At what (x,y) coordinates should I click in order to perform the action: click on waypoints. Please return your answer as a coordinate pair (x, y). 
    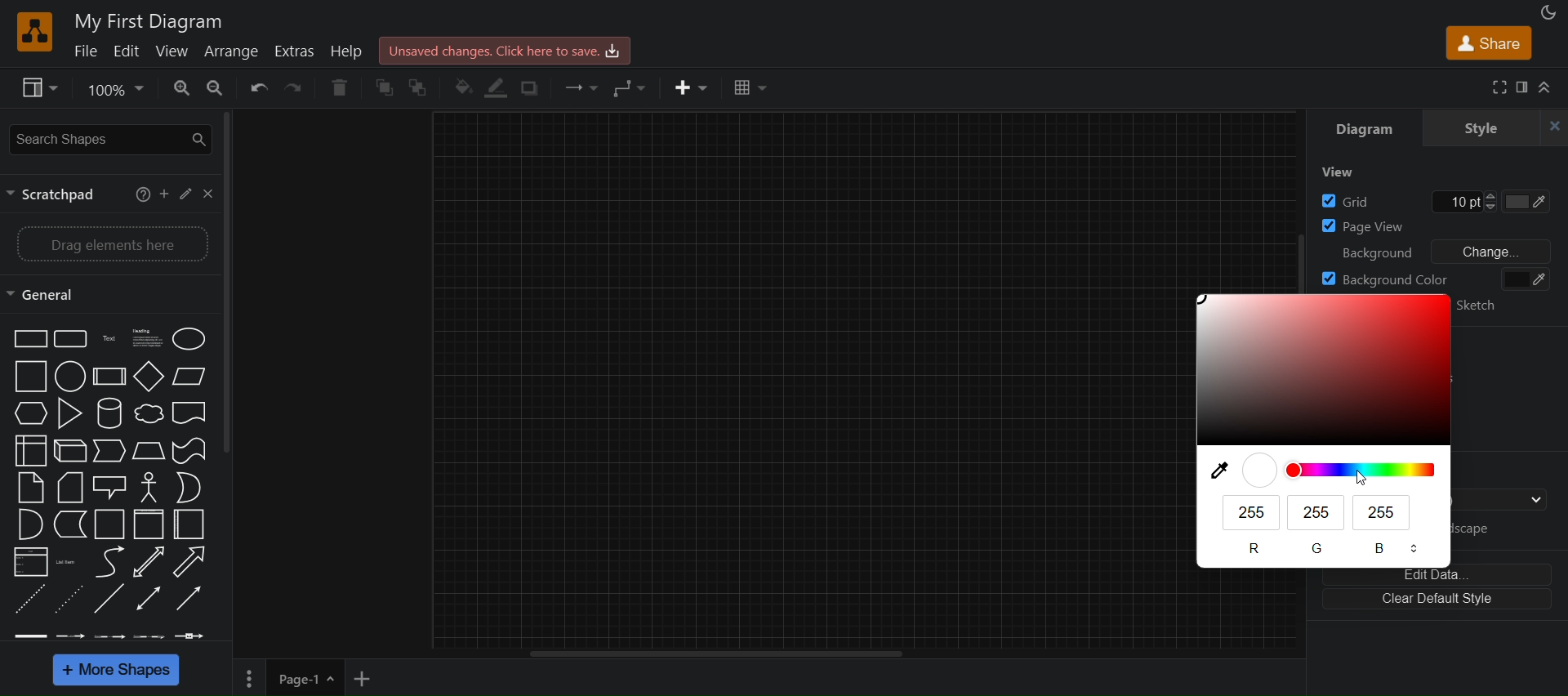
    Looking at the image, I should click on (630, 89).